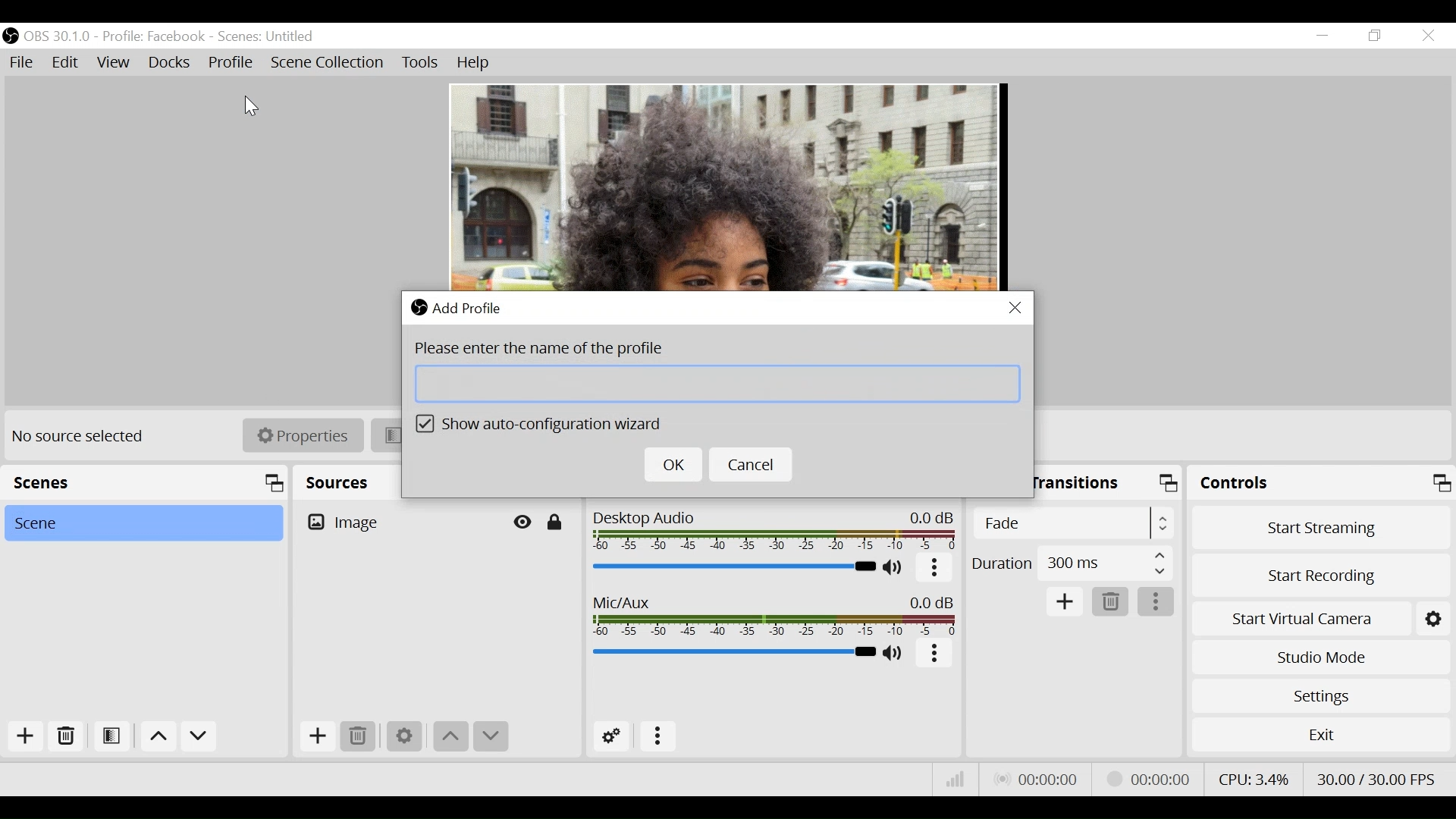 The image size is (1456, 819). I want to click on Image, so click(400, 521).